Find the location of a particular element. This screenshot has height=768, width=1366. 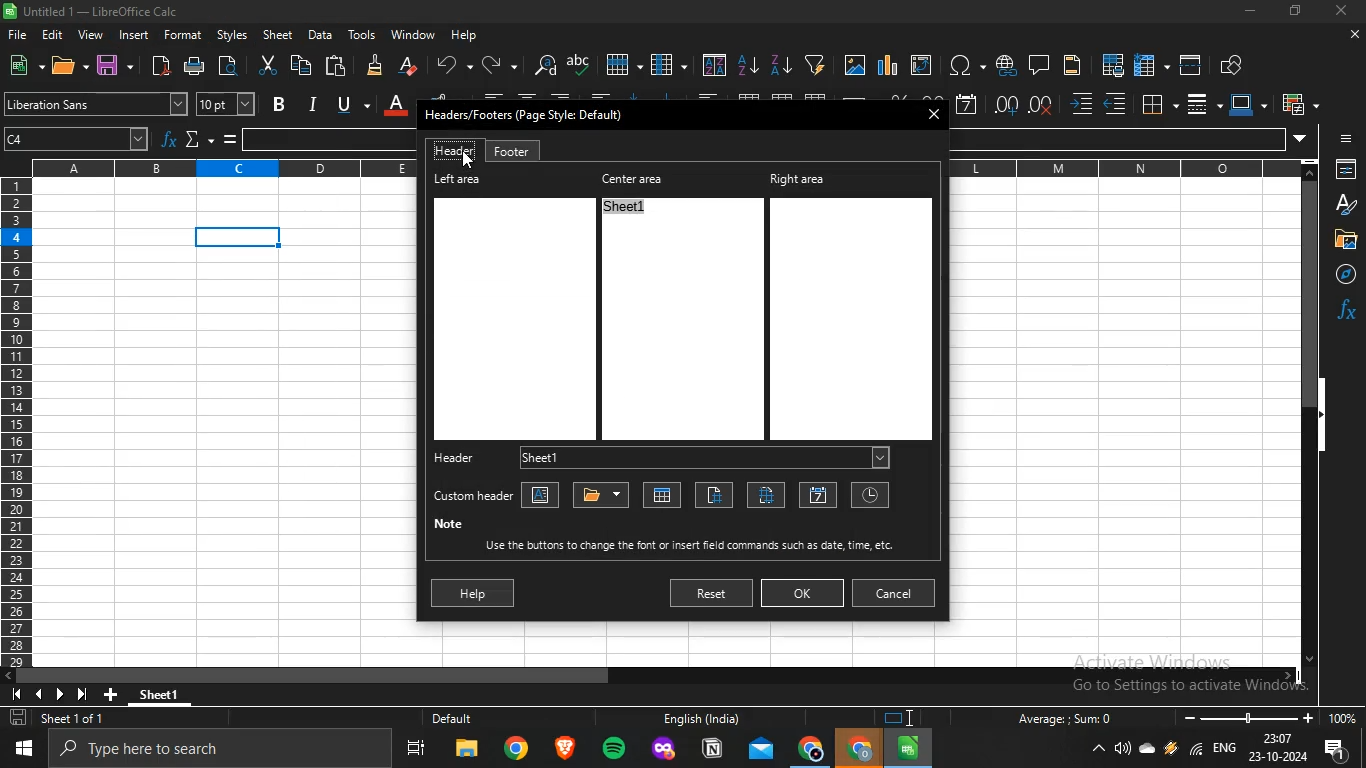

file explorer is located at coordinates (467, 752).